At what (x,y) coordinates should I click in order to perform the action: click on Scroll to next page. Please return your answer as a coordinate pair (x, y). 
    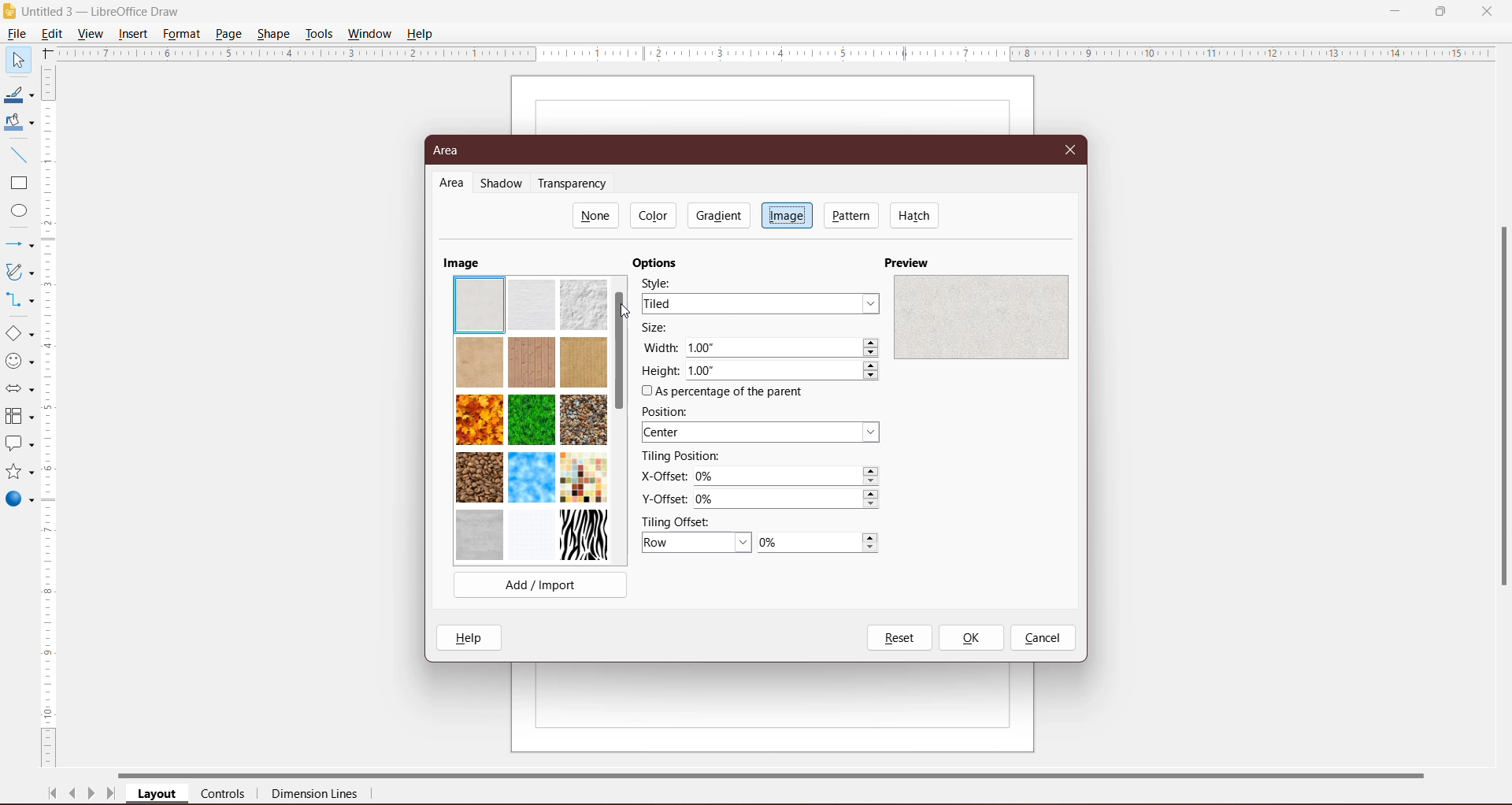
    Looking at the image, I should click on (91, 796).